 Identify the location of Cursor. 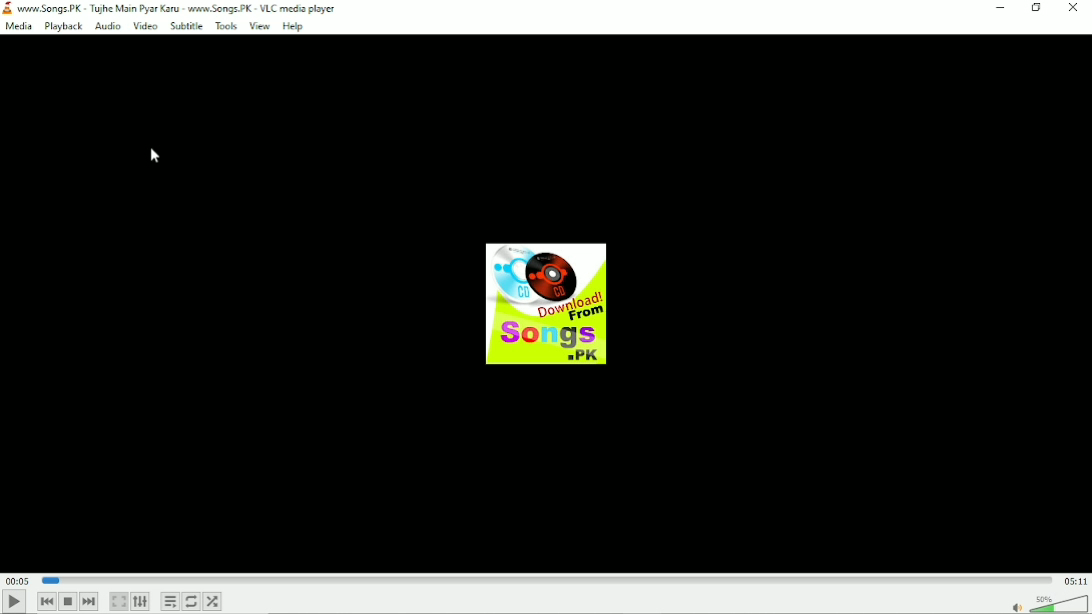
(154, 155).